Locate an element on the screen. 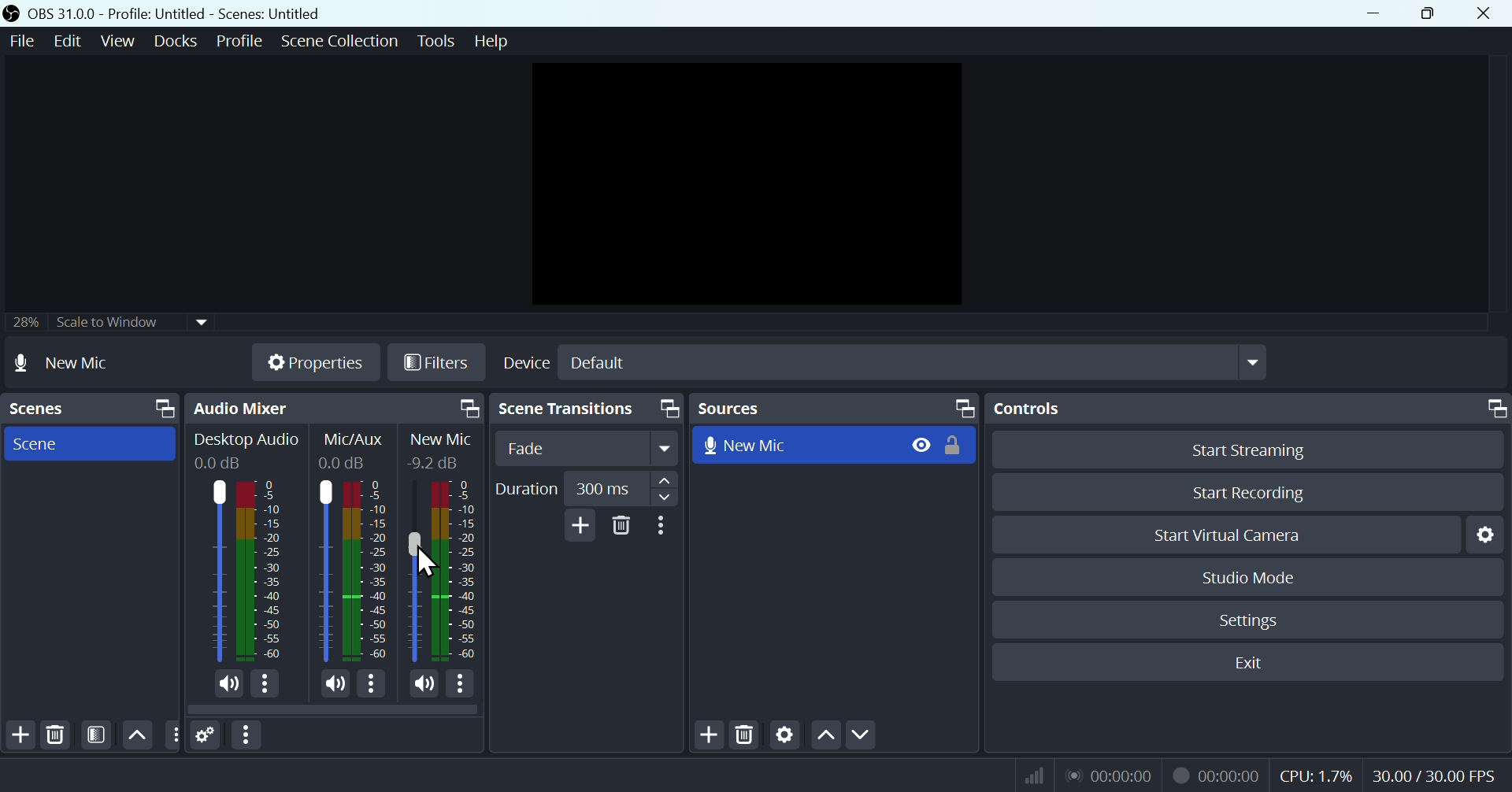 This screenshot has height=792, width=1512. File is located at coordinates (20, 42).